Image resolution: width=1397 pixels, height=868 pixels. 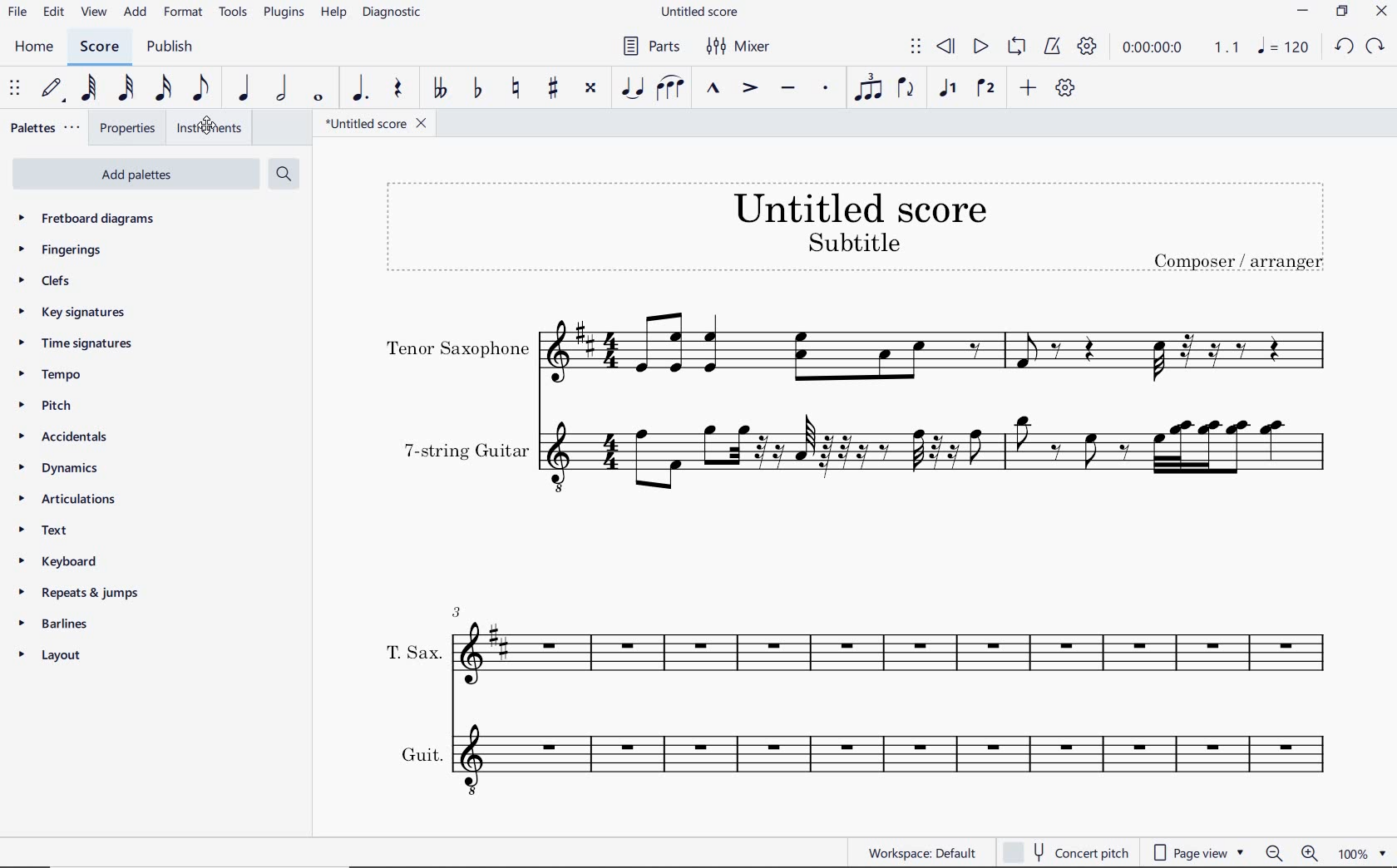 I want to click on VOICE 2, so click(x=988, y=89).